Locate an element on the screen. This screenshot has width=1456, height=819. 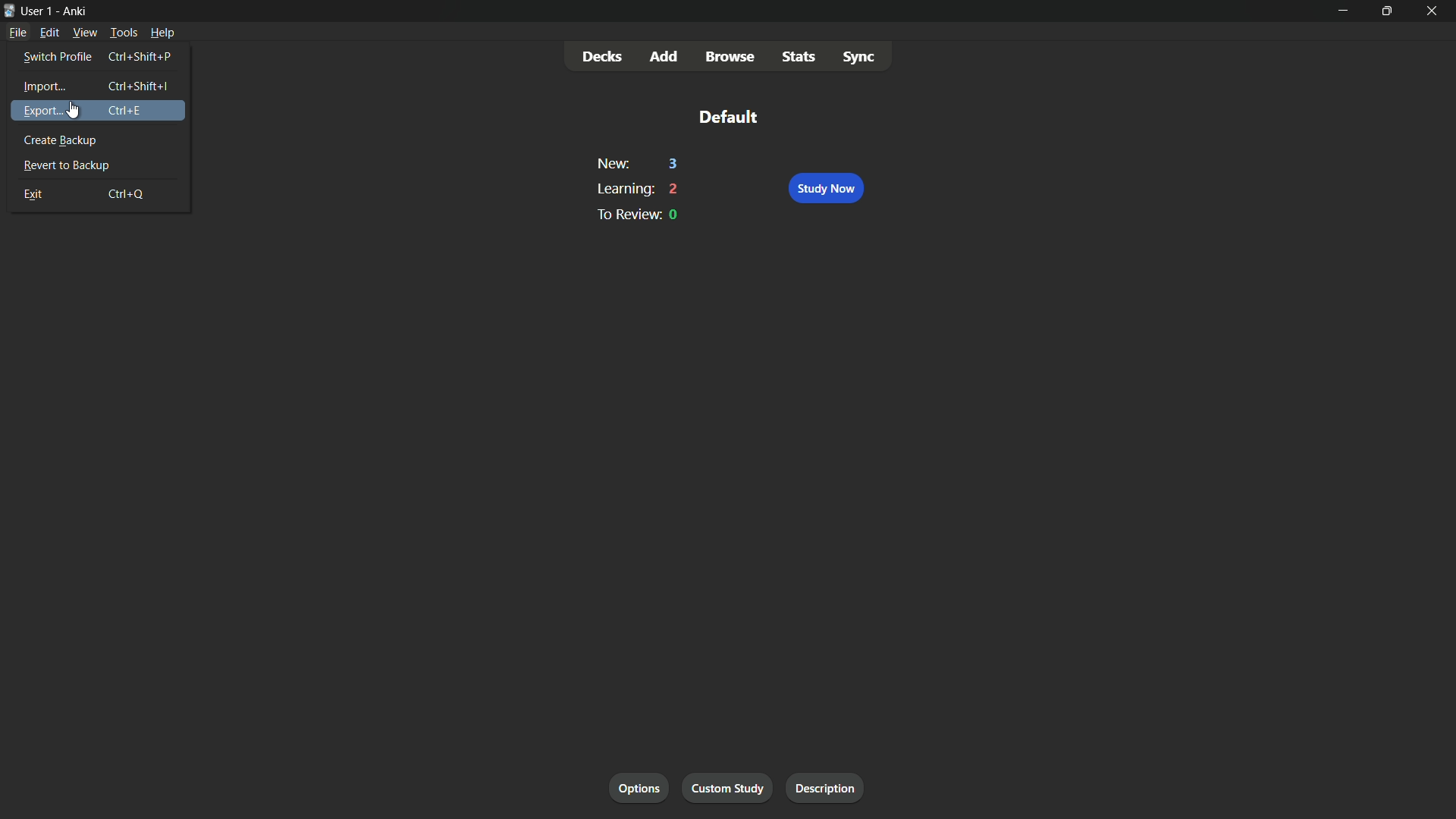
keyboard shortcut is located at coordinates (125, 111).